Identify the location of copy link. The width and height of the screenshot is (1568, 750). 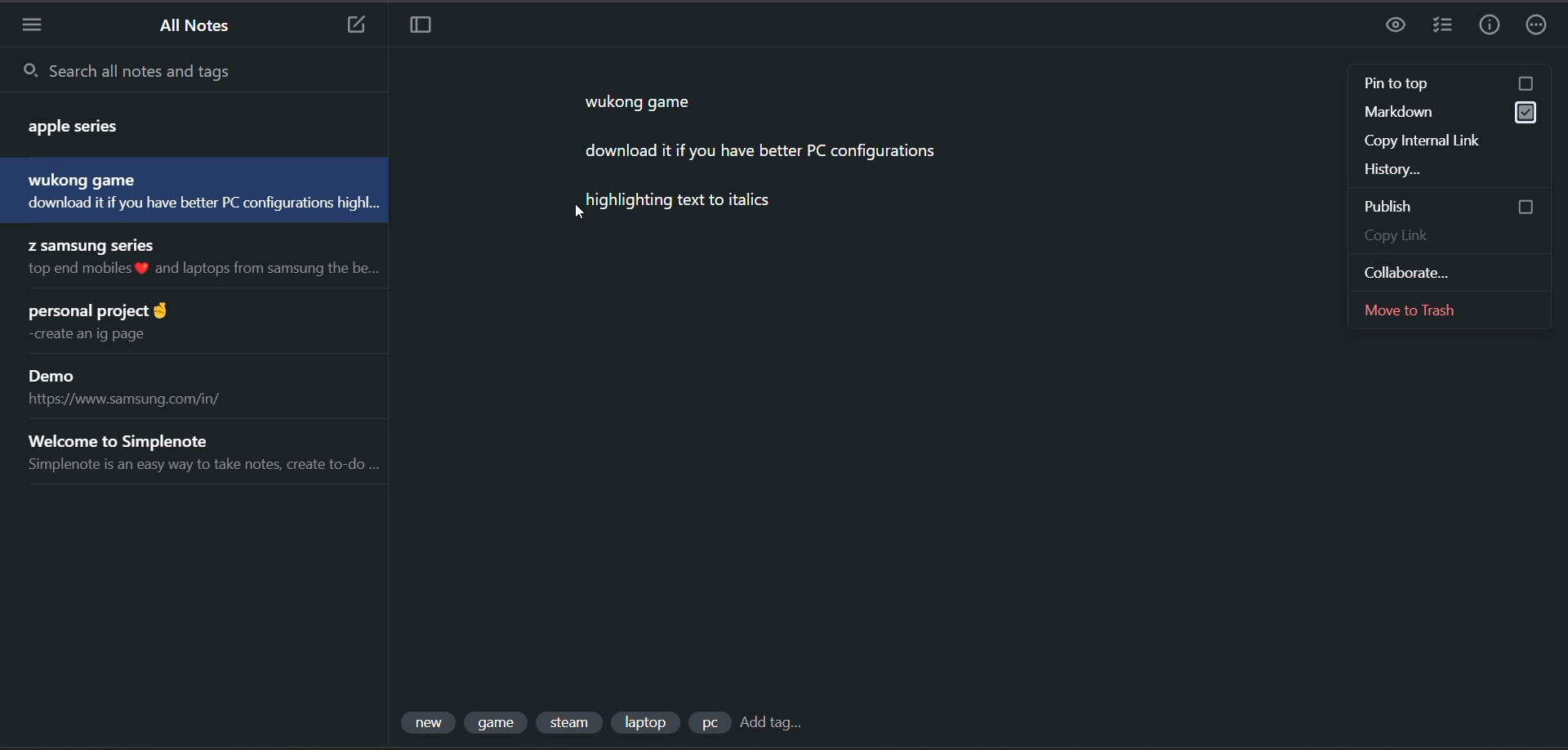
(1454, 236).